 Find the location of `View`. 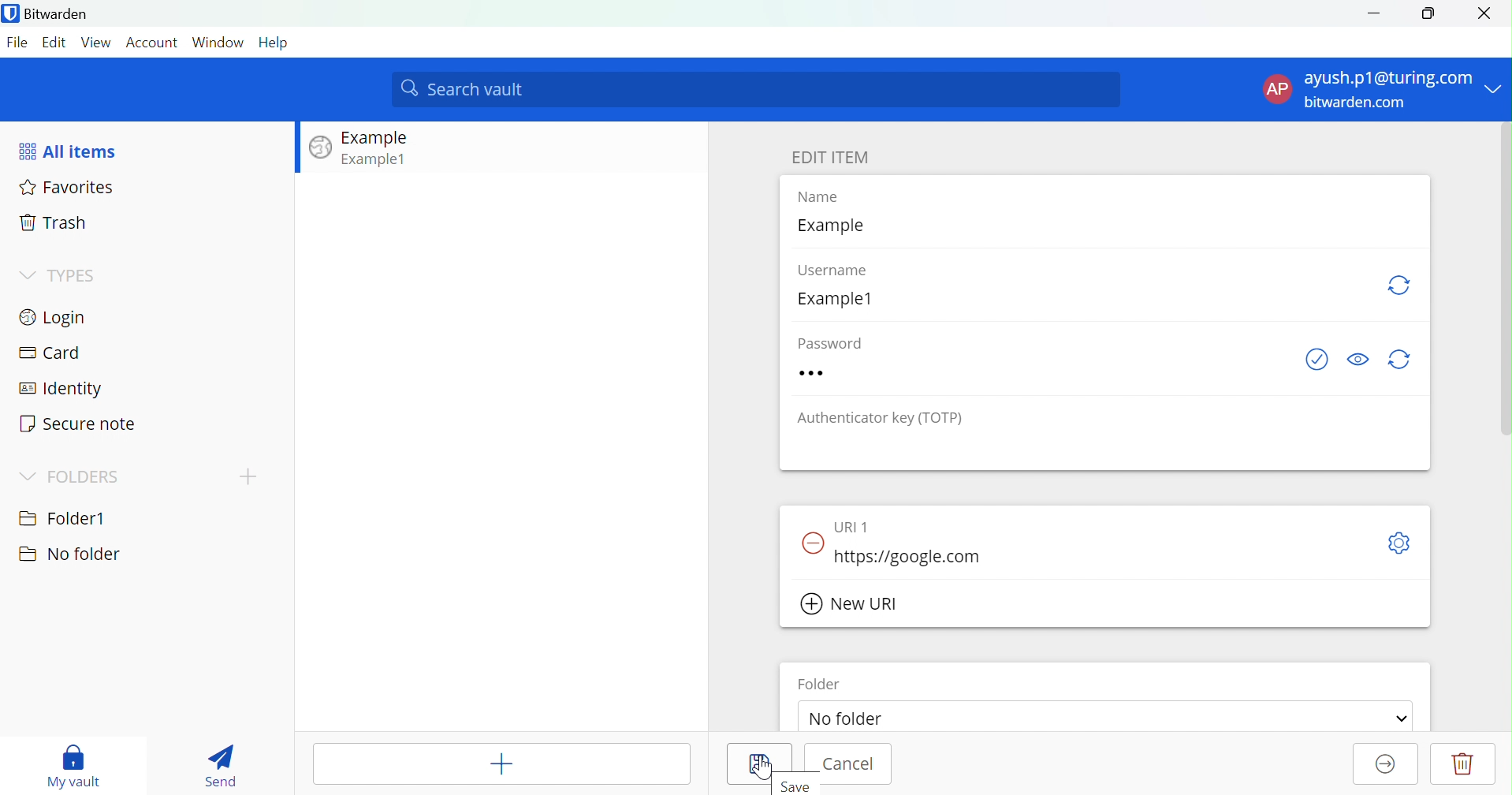

View is located at coordinates (98, 42).